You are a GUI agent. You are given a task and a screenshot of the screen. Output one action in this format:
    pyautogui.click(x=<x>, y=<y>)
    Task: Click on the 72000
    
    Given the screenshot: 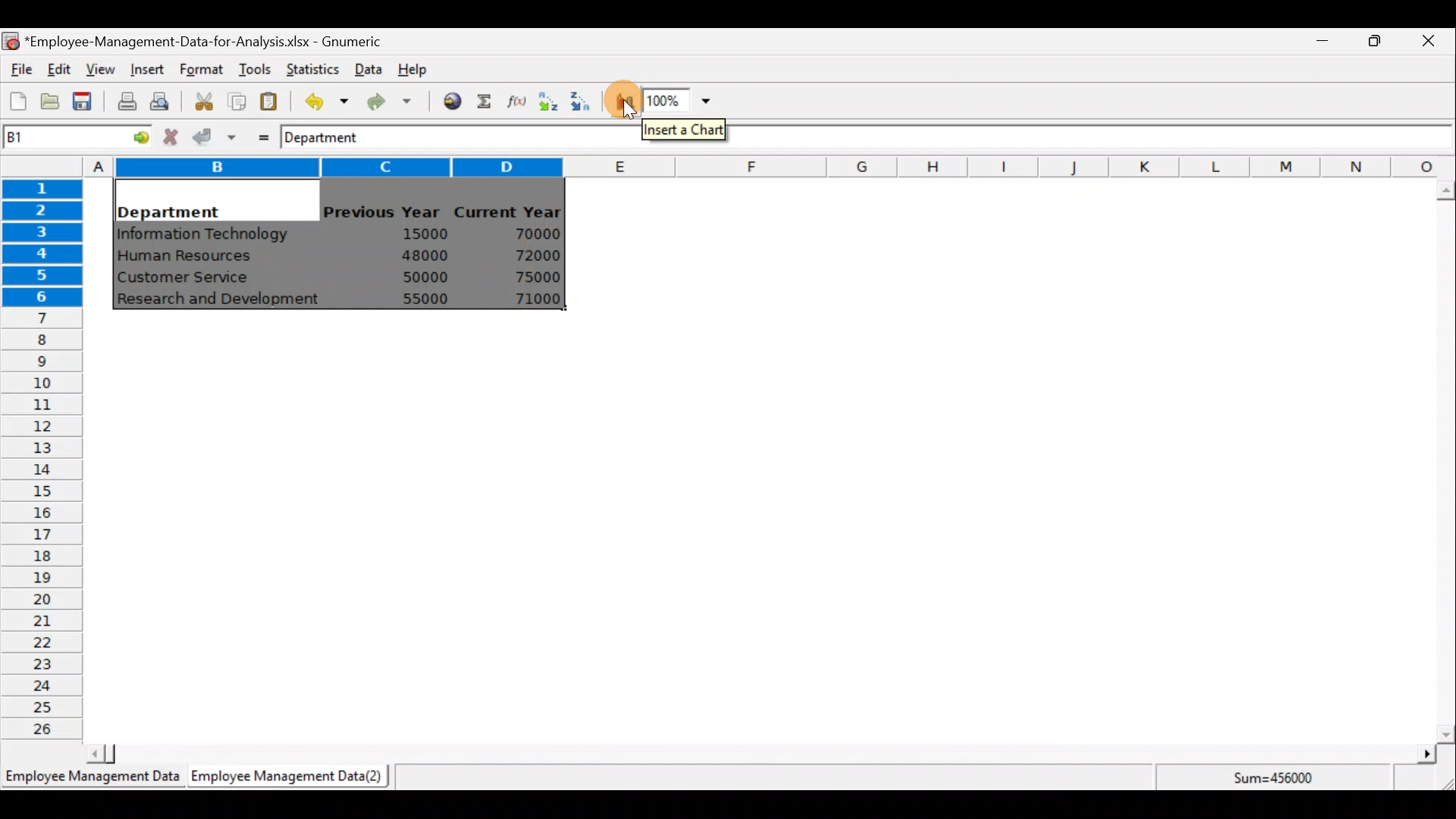 What is the action you would take?
    pyautogui.click(x=529, y=256)
    